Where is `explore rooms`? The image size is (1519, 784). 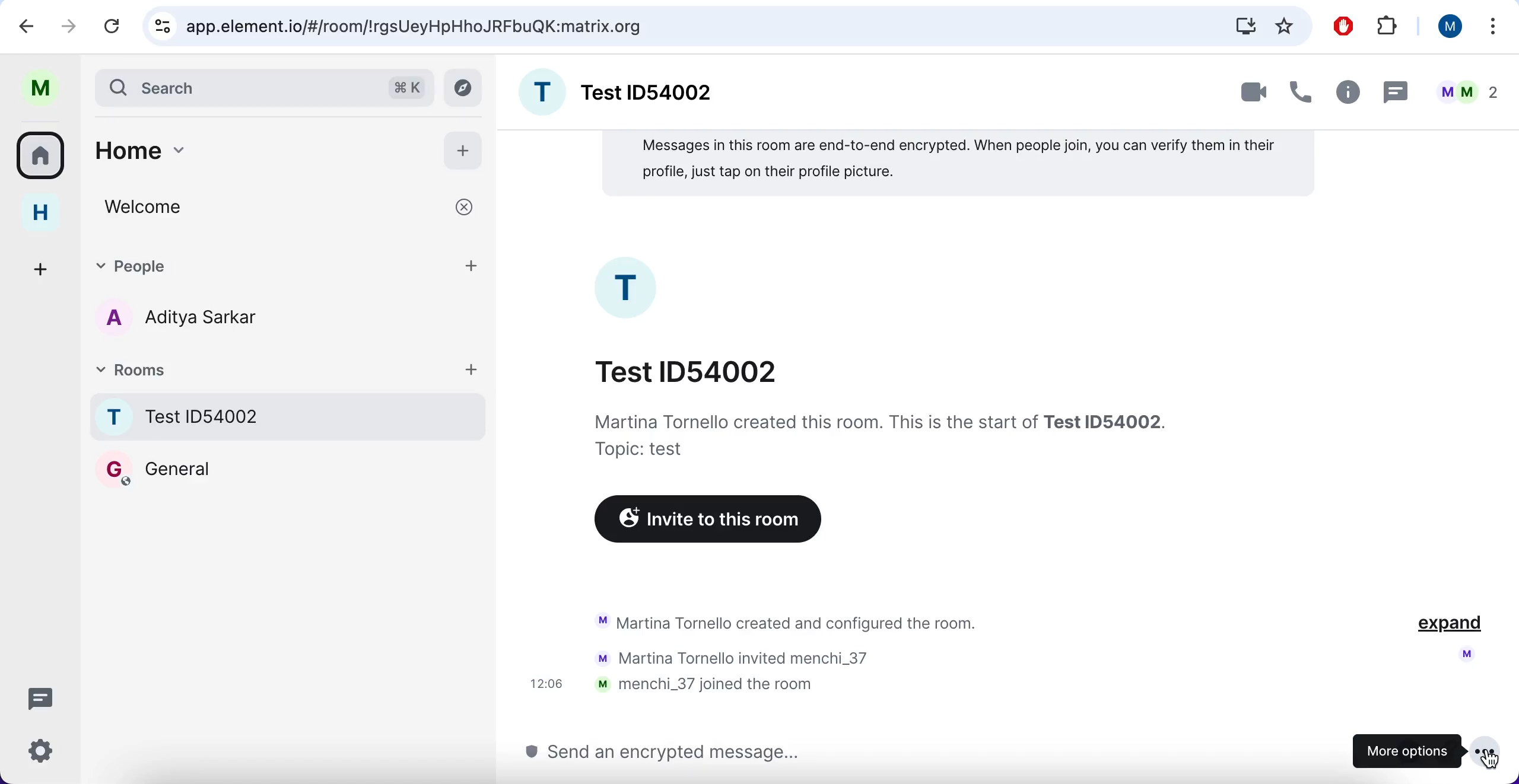
explore rooms is located at coordinates (465, 88).